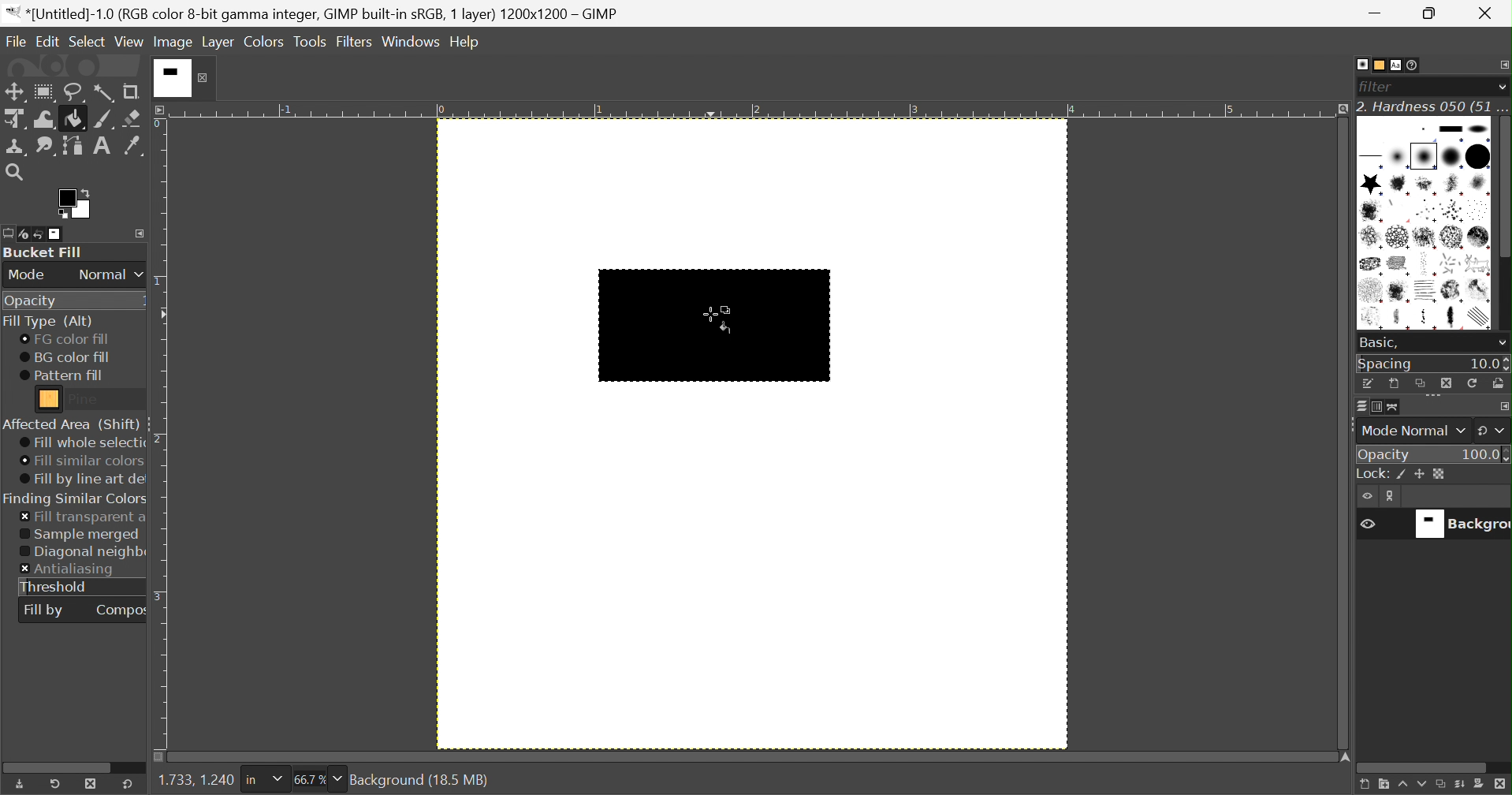 This screenshot has width=1512, height=795. I want to click on , so click(1459, 786).